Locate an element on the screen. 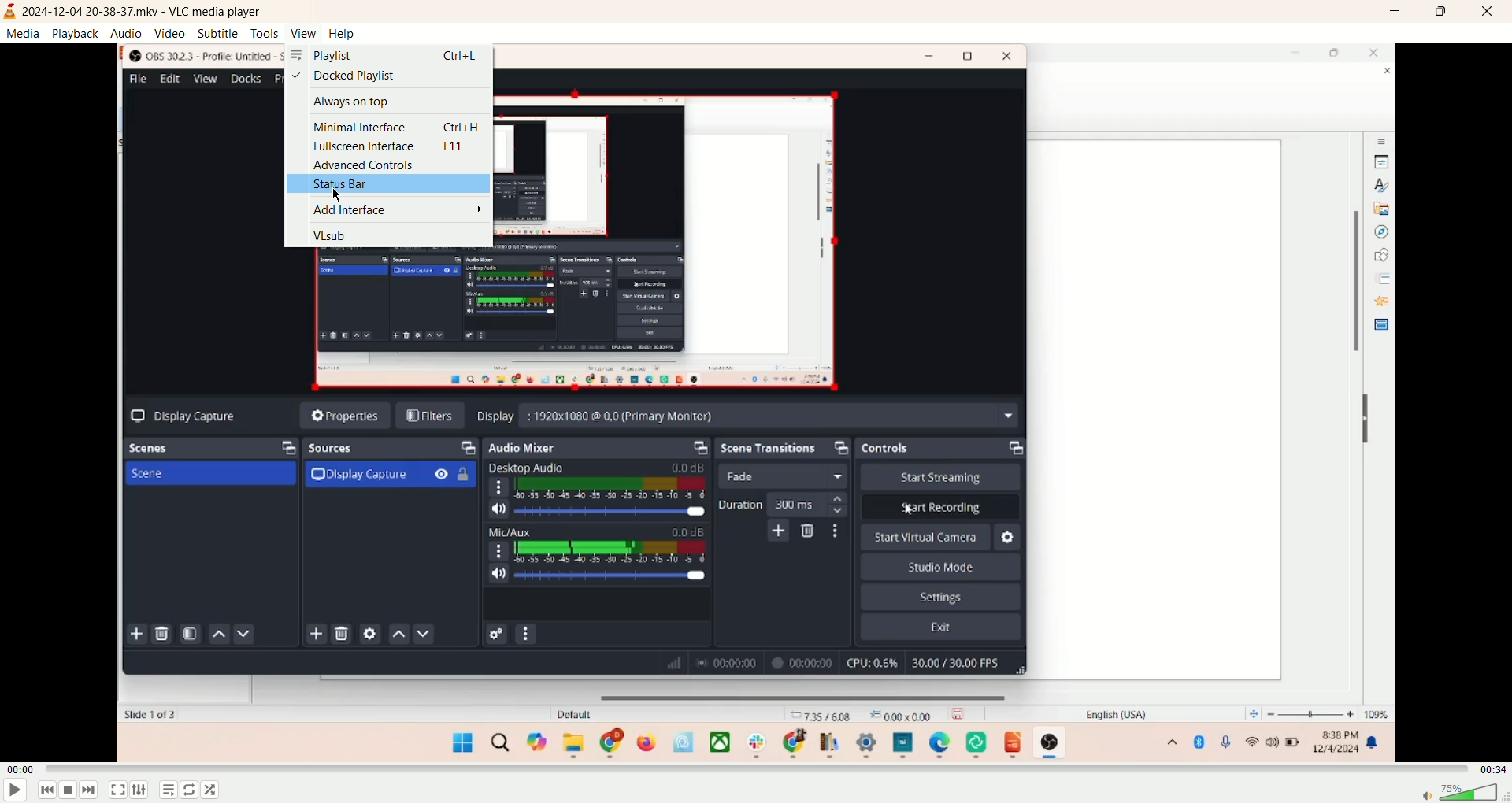  fullscreen is located at coordinates (117, 791).